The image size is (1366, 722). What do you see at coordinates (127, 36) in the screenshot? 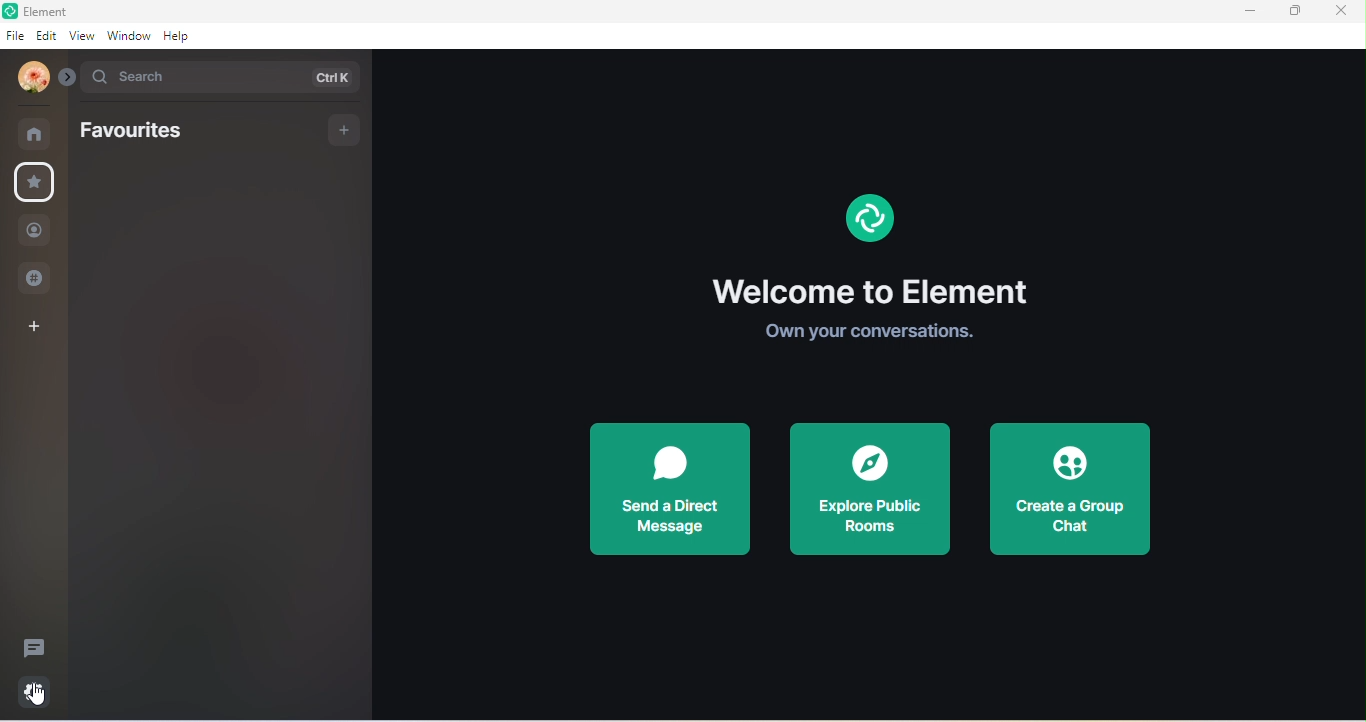
I see `window` at bounding box center [127, 36].